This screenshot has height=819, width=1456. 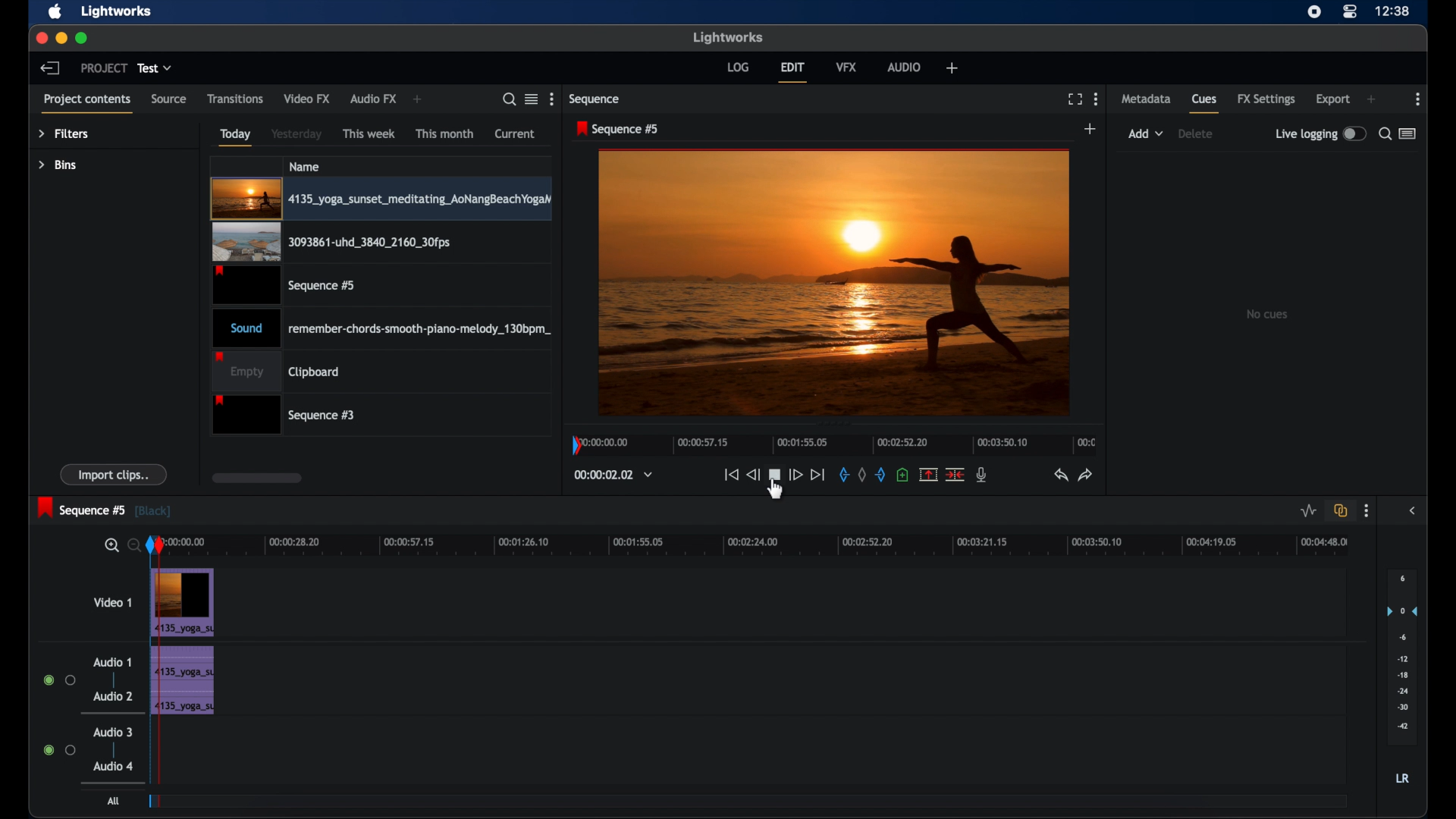 I want to click on radio button, so click(x=58, y=679).